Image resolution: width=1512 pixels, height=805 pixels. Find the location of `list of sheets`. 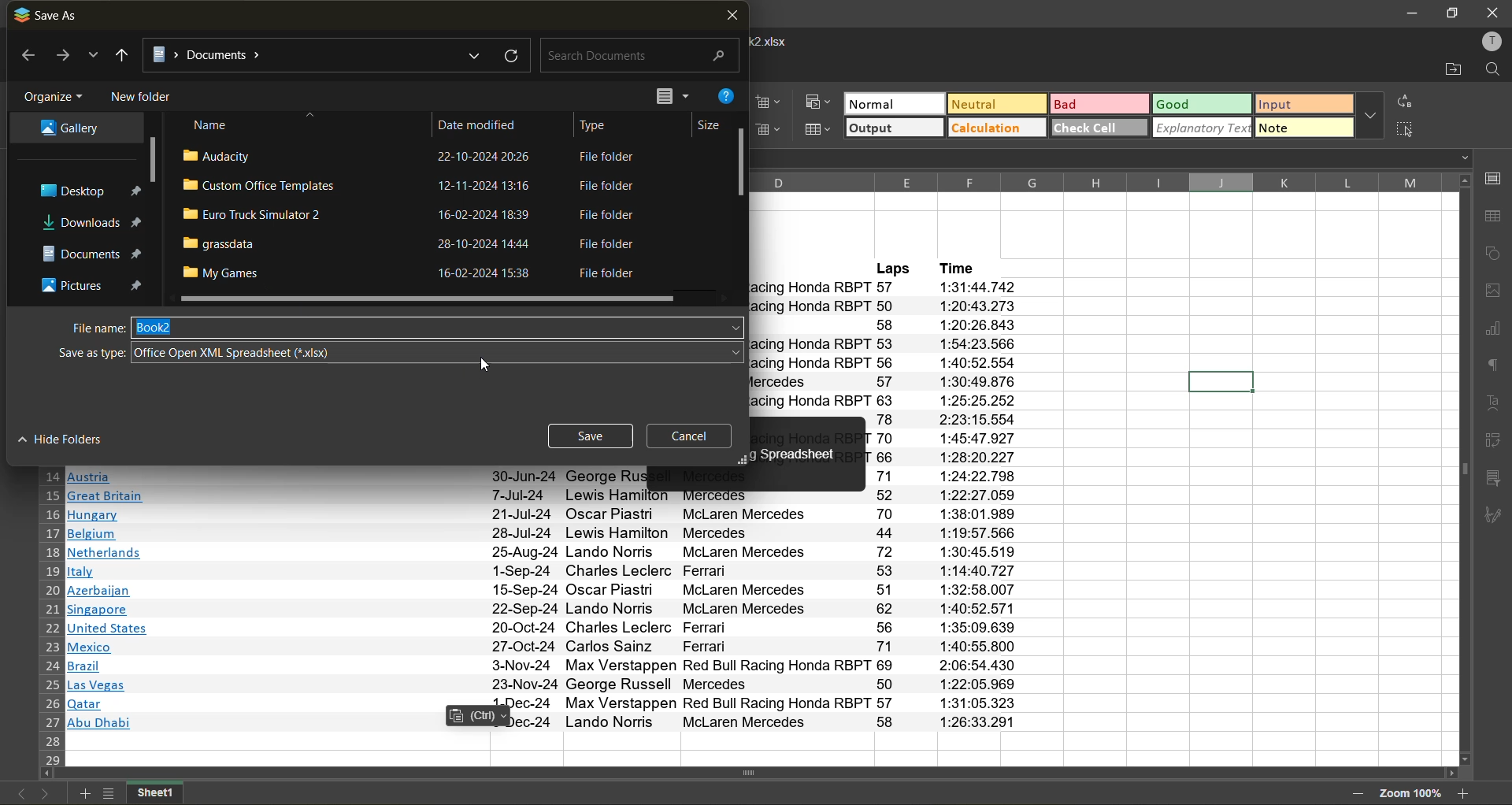

list of sheets is located at coordinates (107, 794).